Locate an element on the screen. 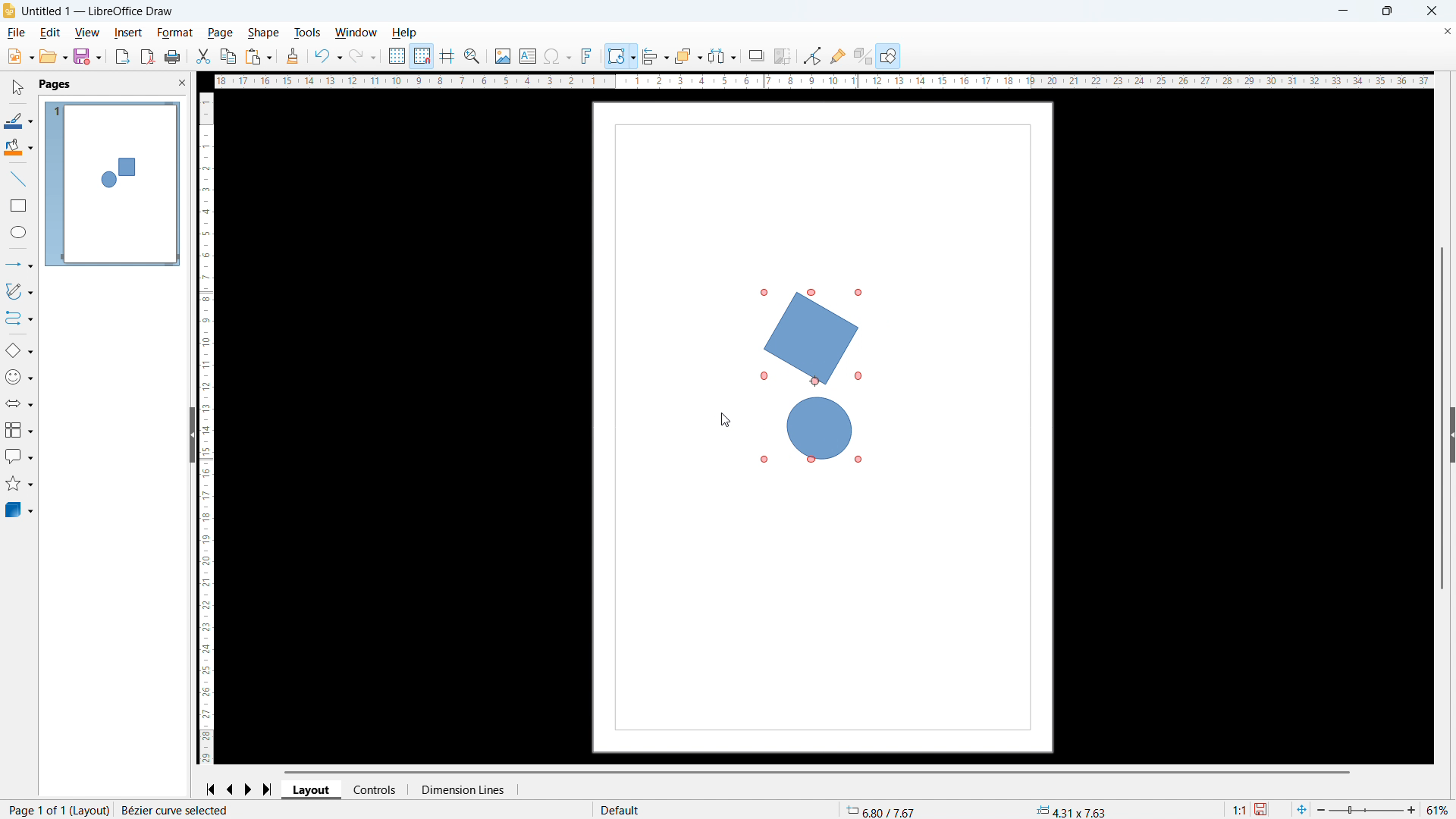  Object rotated 60 degrees  is located at coordinates (816, 376).